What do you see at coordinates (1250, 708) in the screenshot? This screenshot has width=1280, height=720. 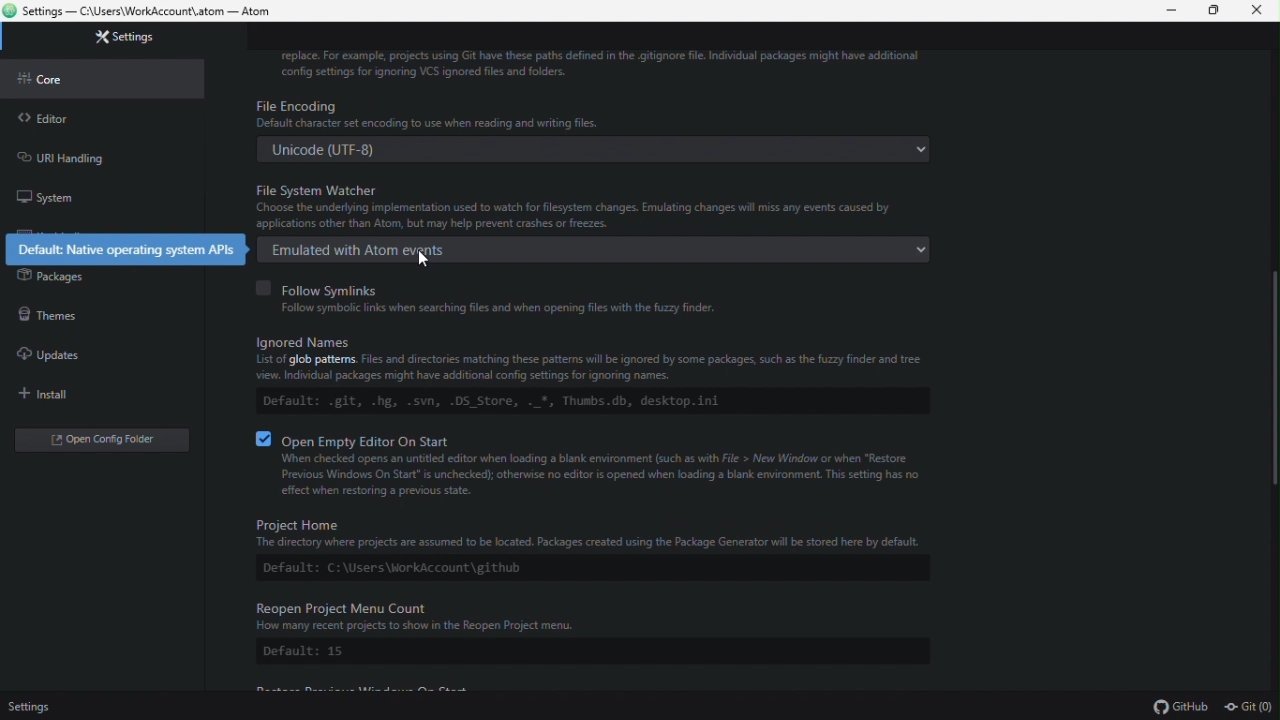 I see `git` at bounding box center [1250, 708].